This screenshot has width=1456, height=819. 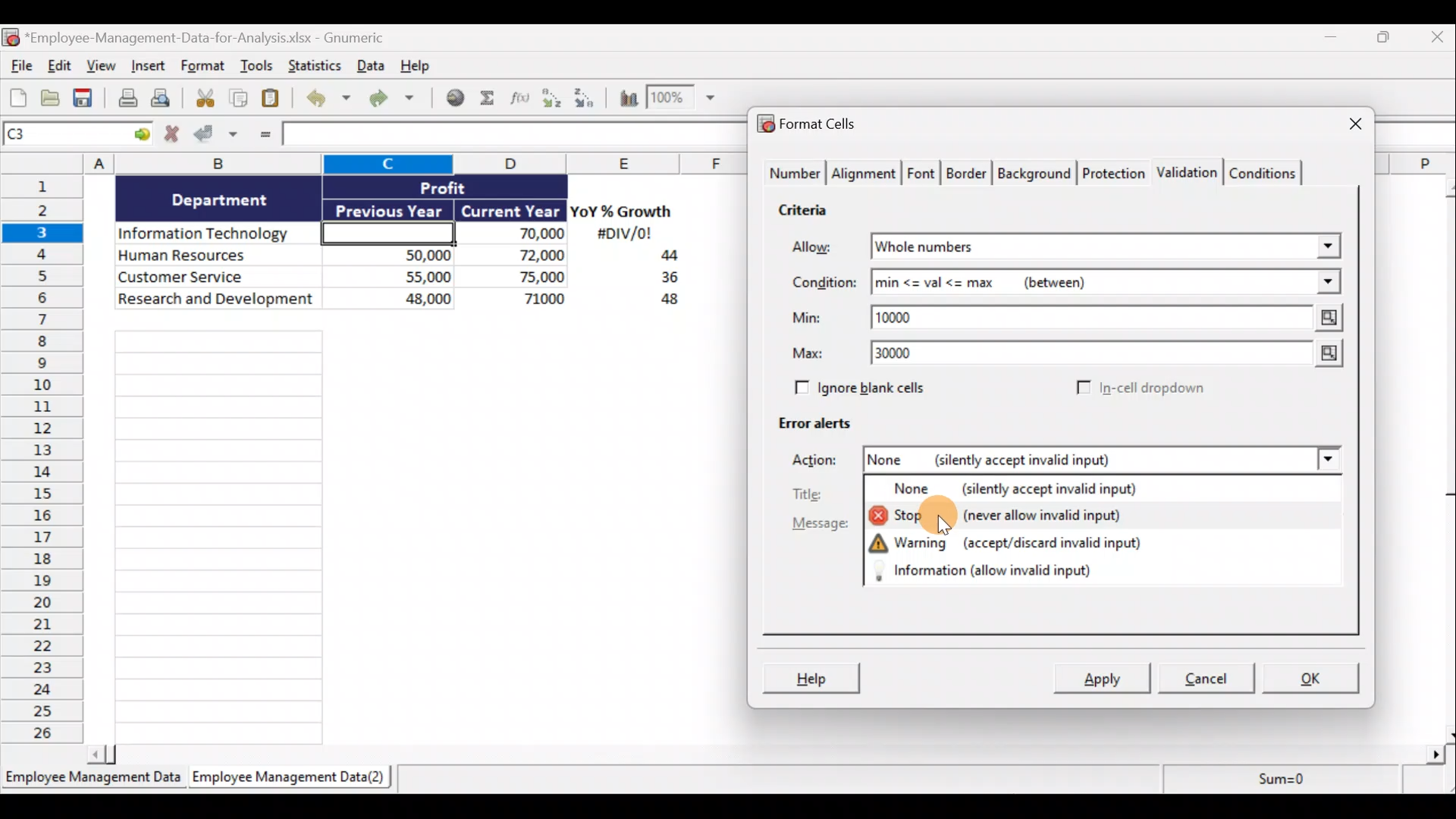 I want to click on 48, so click(x=661, y=302).